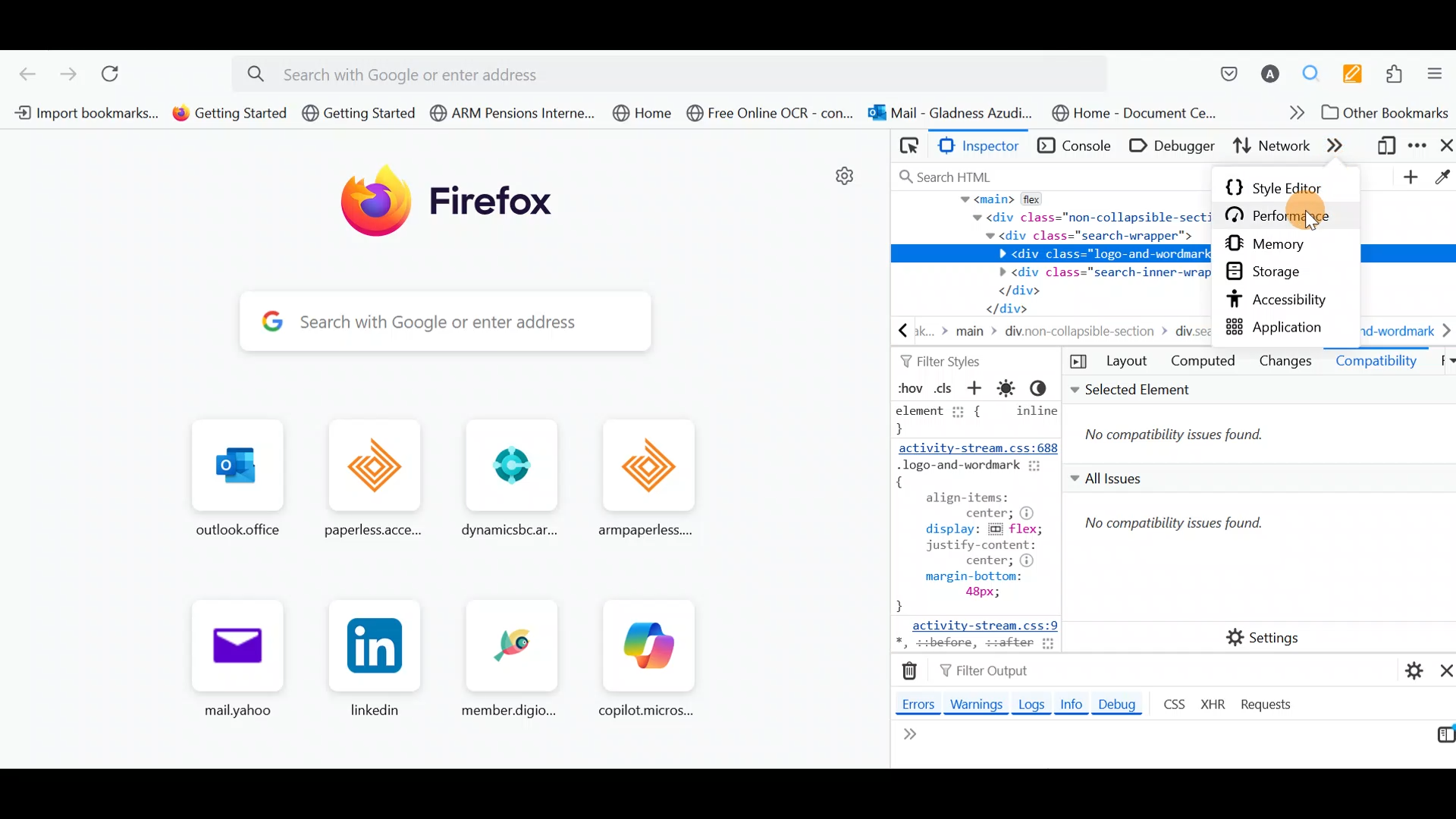 This screenshot has height=819, width=1456. I want to click on Inspector, so click(984, 146).